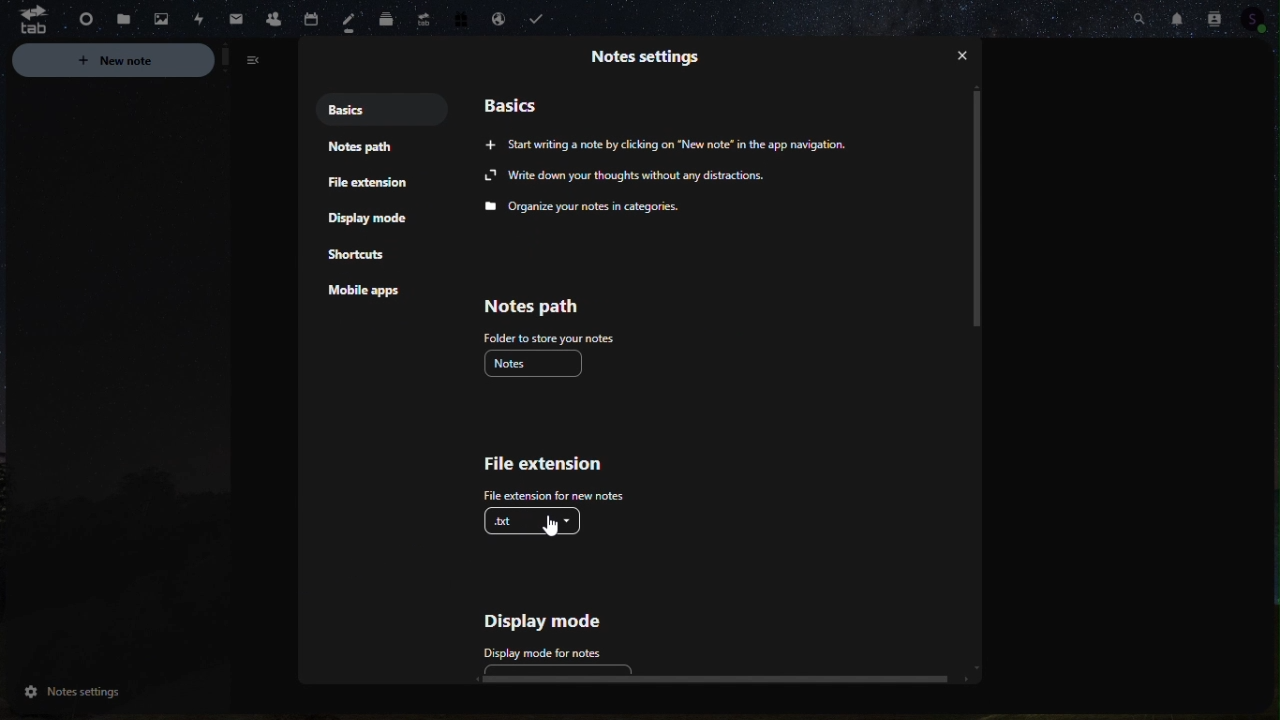  I want to click on Notes Settings, so click(107, 692).